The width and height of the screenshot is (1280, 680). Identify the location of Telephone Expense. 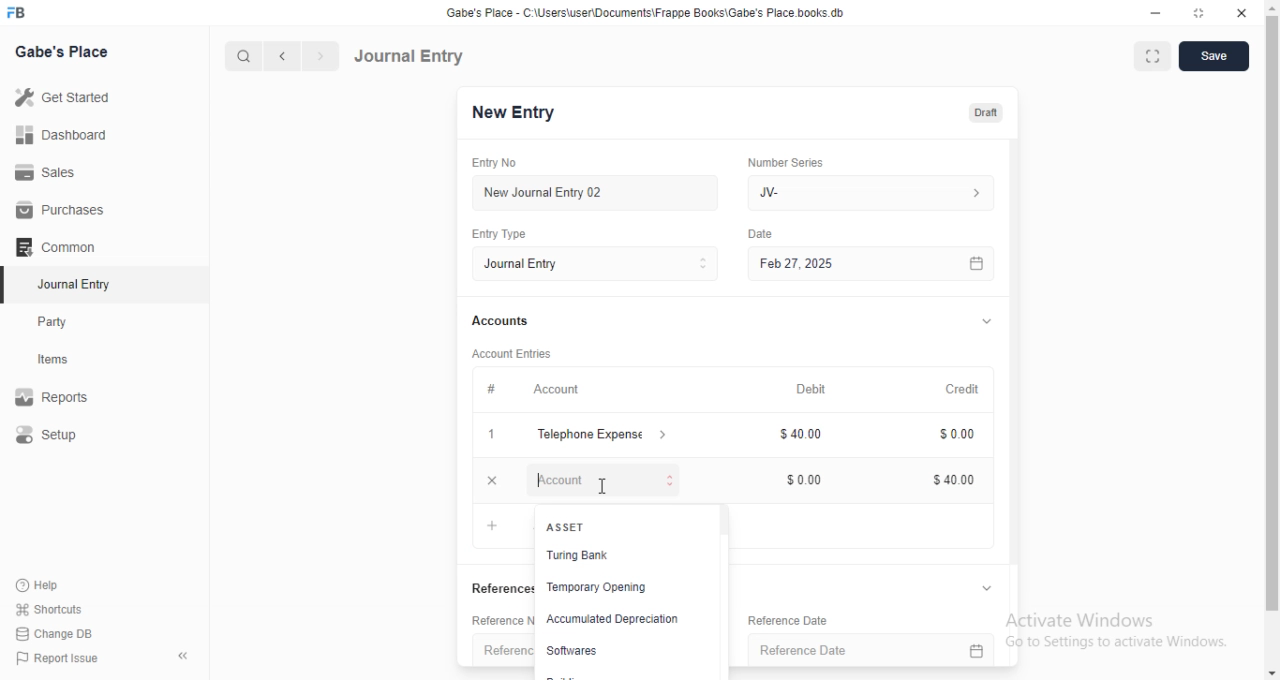
(611, 433).